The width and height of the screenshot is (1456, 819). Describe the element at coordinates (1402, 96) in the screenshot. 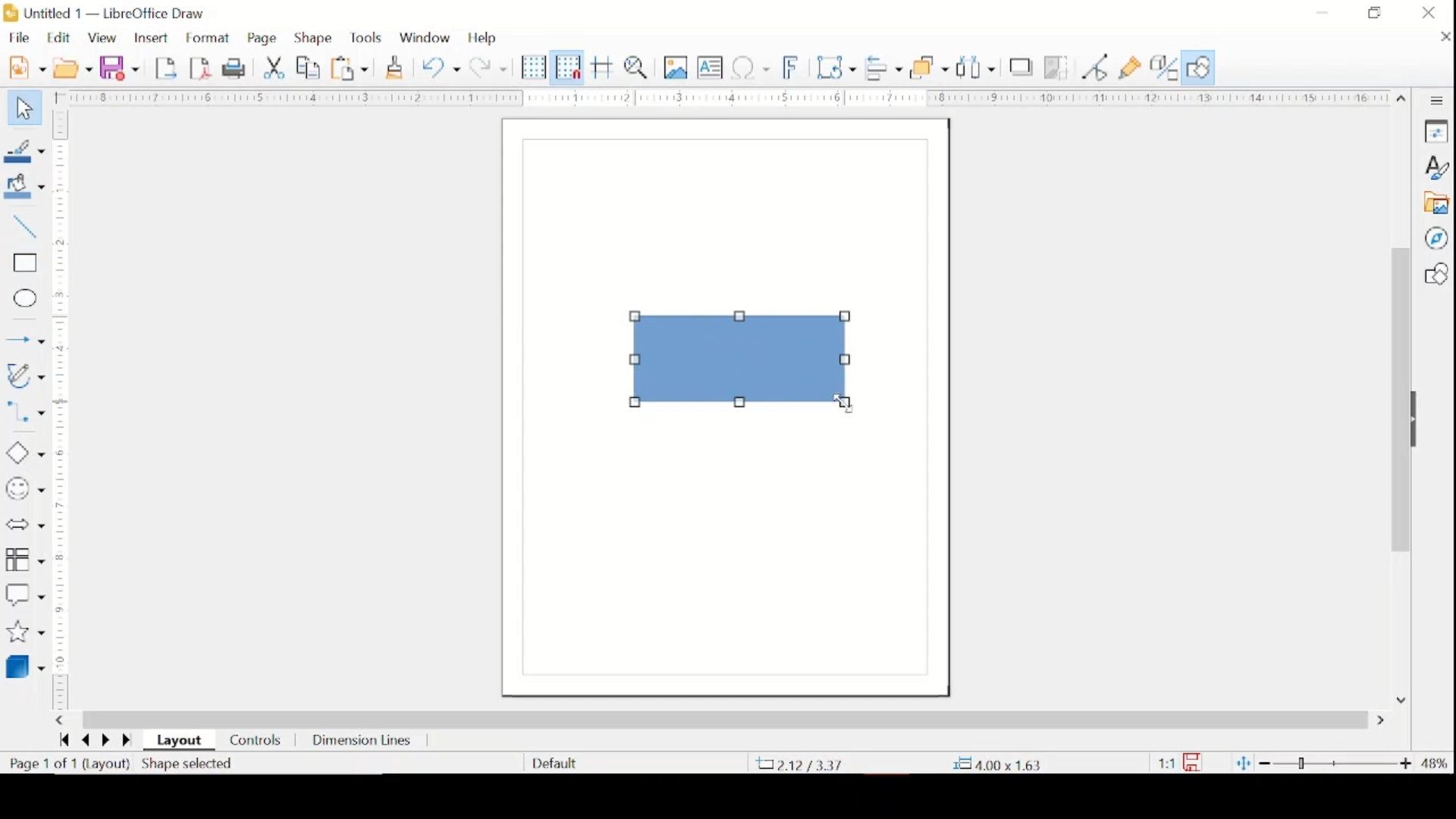

I see `scroll up arrow` at that location.